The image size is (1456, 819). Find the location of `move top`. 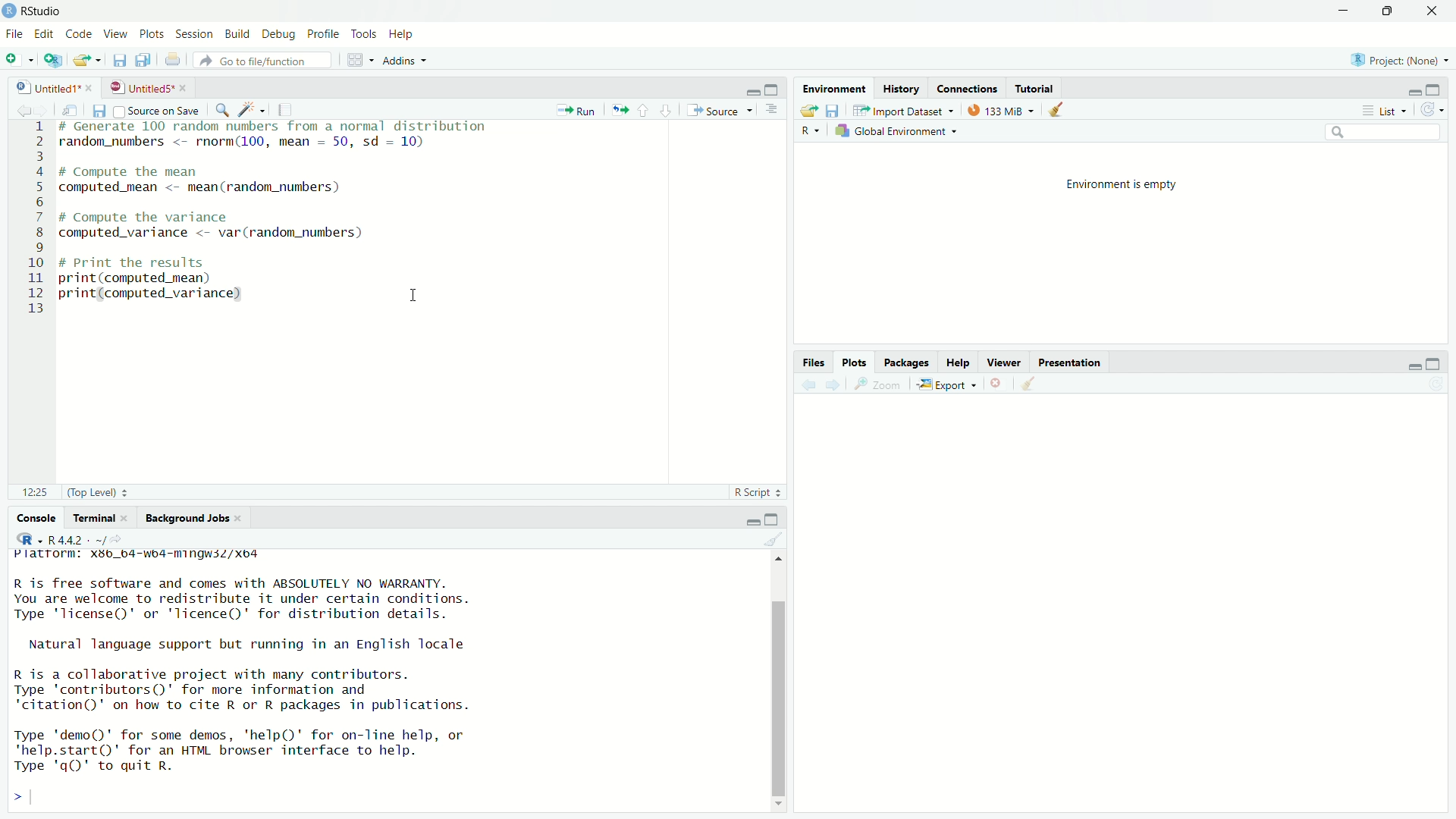

move top is located at coordinates (777, 563).